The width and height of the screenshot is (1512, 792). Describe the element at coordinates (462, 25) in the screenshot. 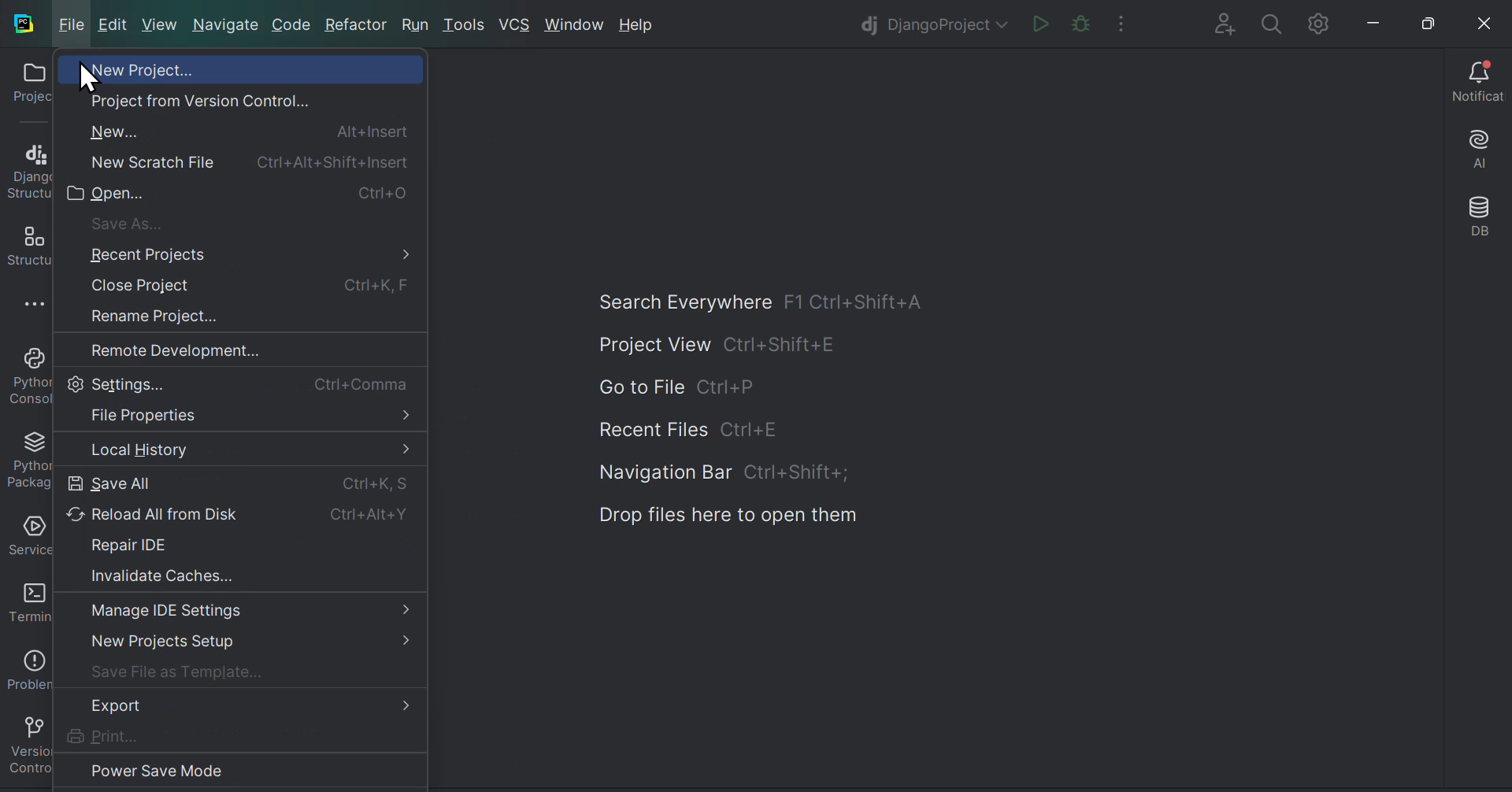

I see `tools` at that location.